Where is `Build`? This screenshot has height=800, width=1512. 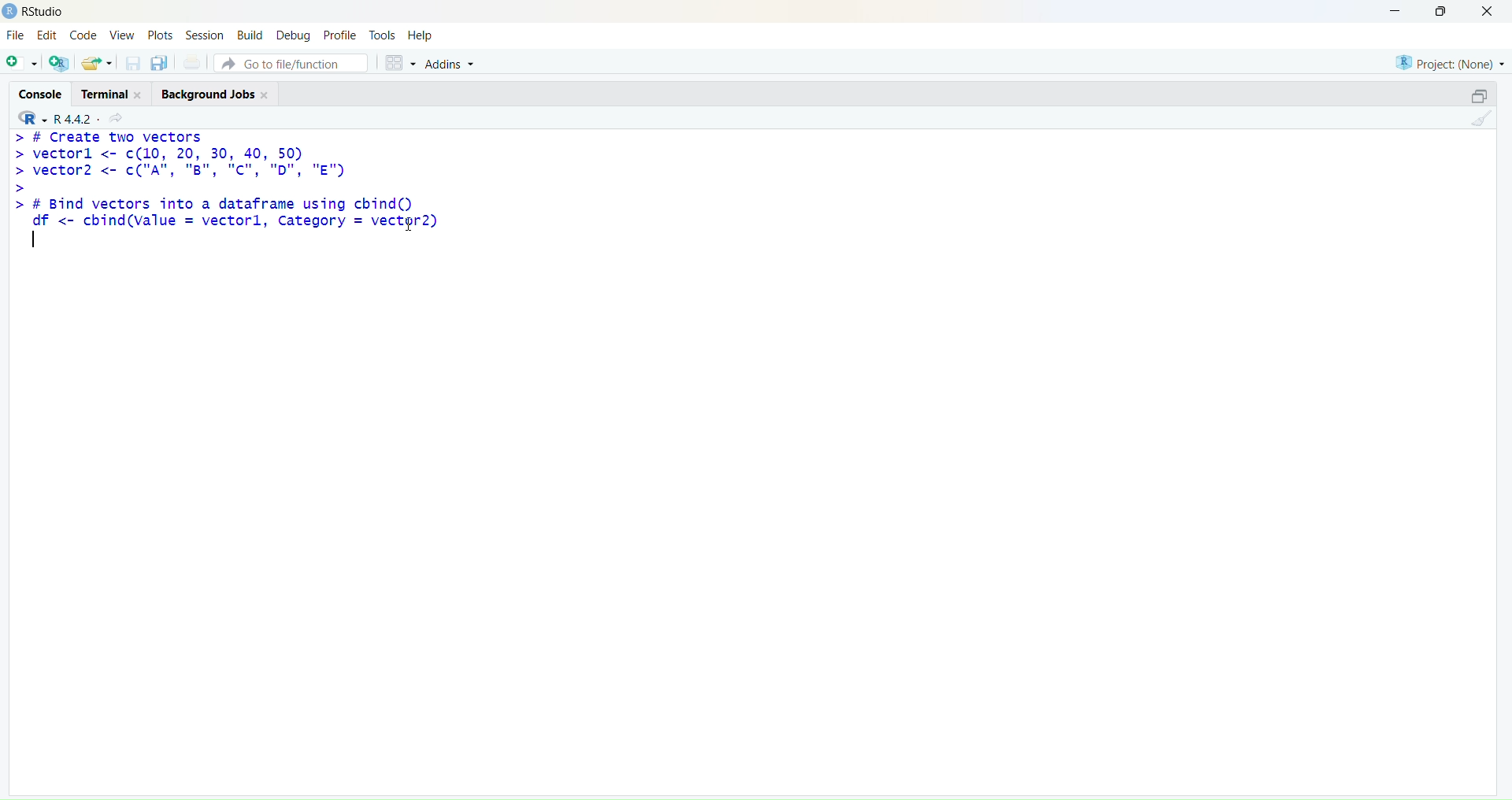
Build is located at coordinates (250, 34).